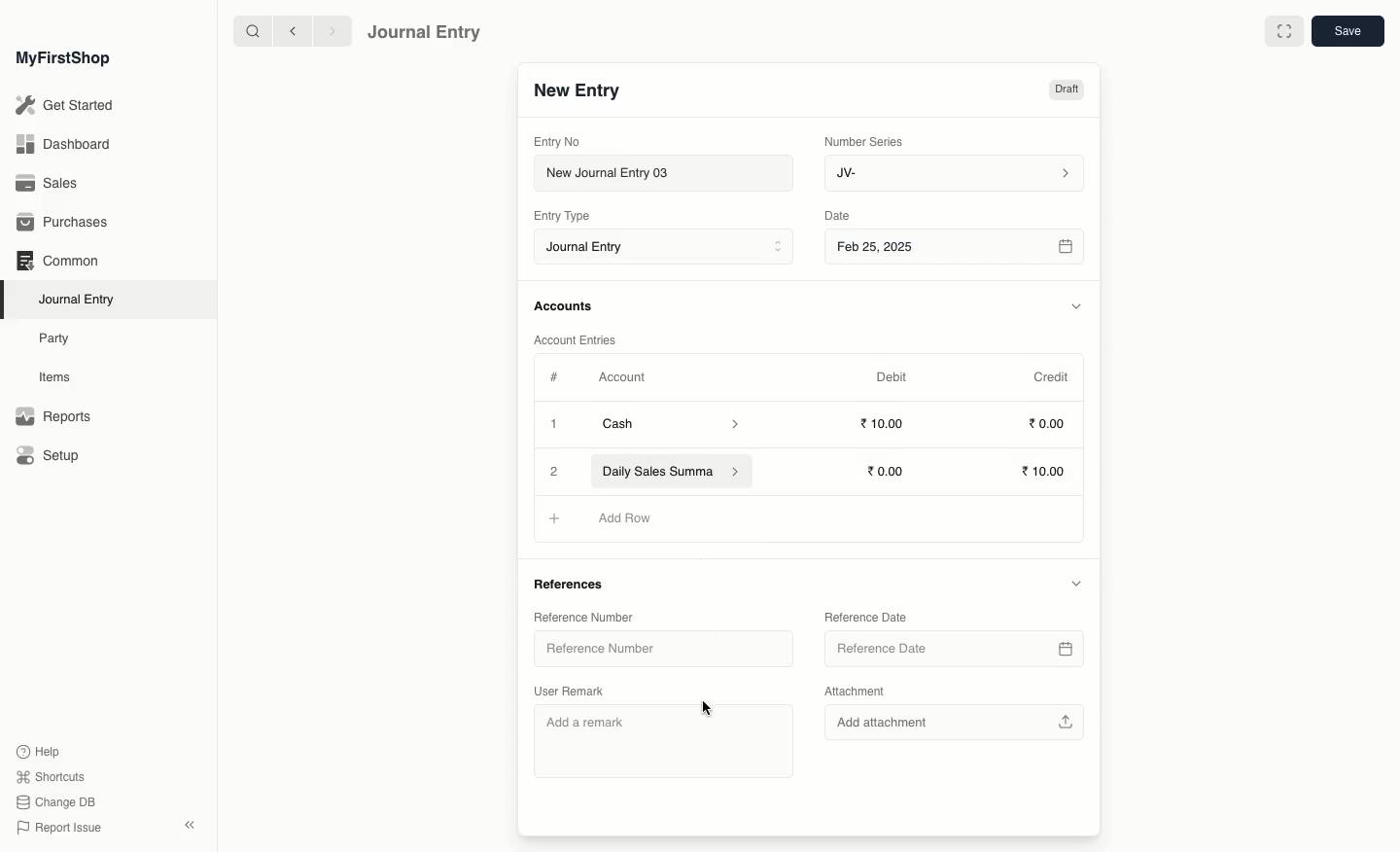  Describe the element at coordinates (891, 471) in the screenshot. I see `10.00` at that location.